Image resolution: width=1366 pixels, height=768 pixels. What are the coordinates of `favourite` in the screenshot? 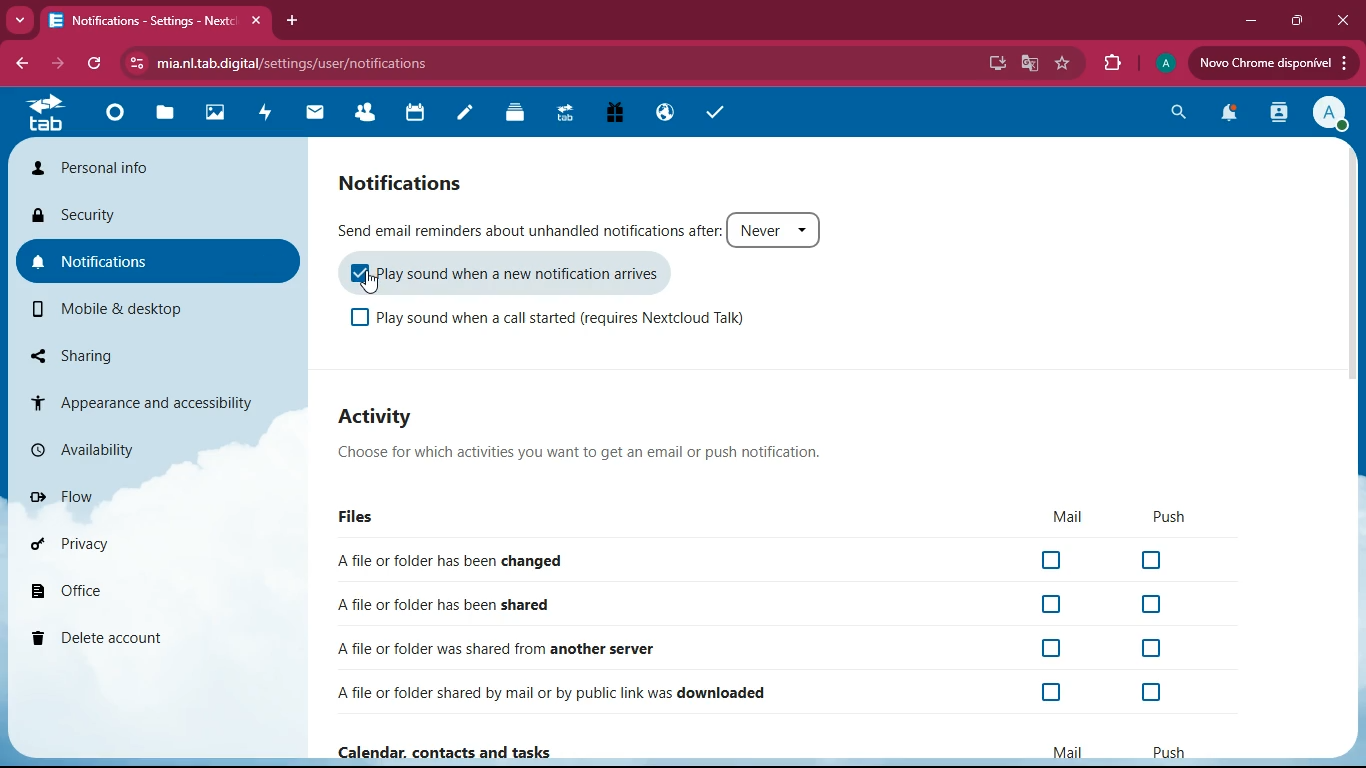 It's located at (1063, 64).